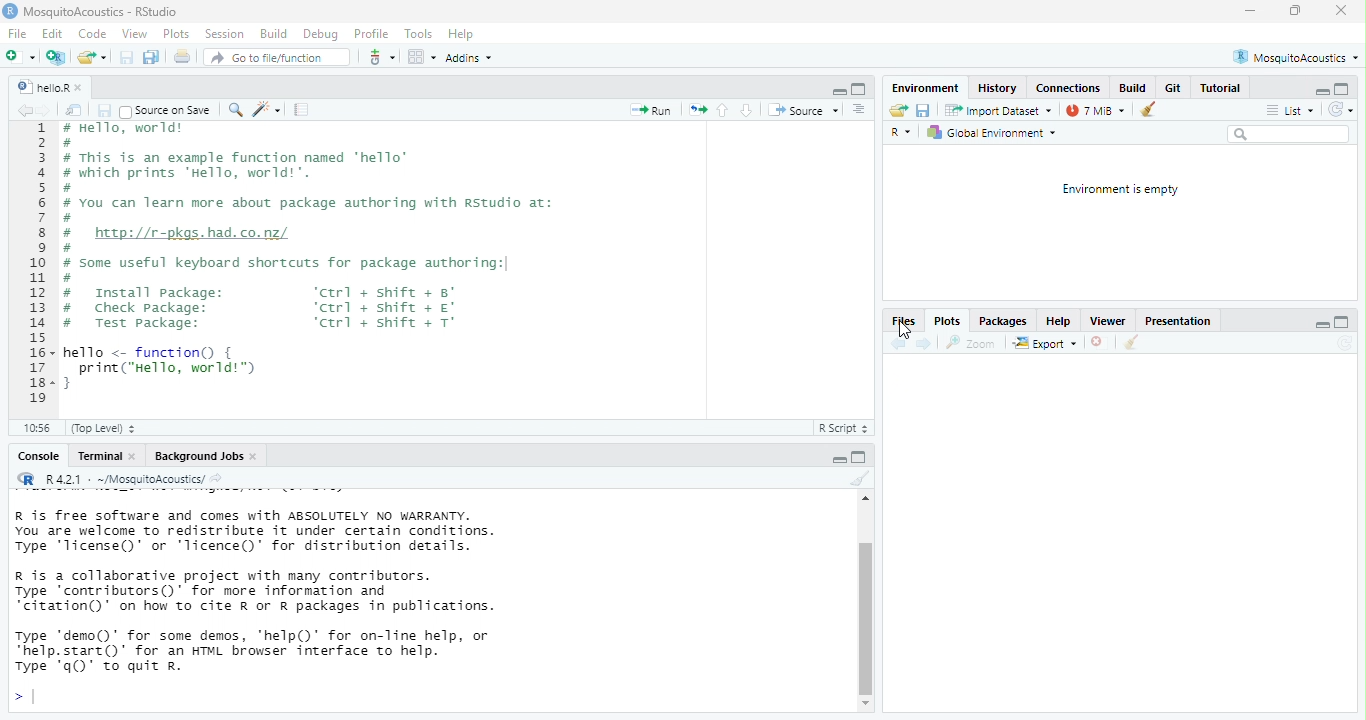 Image resolution: width=1366 pixels, height=720 pixels. Describe the element at coordinates (900, 112) in the screenshot. I see `open an existing file` at that location.